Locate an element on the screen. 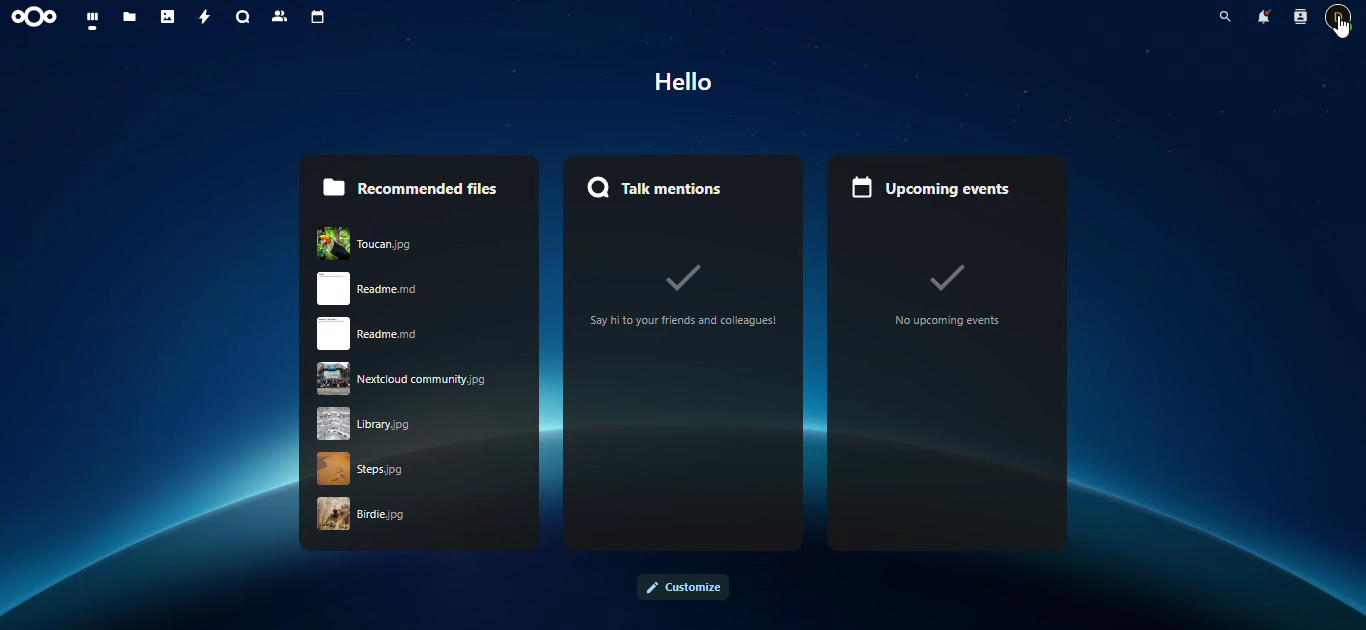 Image resolution: width=1366 pixels, height=630 pixels. dashboard is located at coordinates (95, 22).